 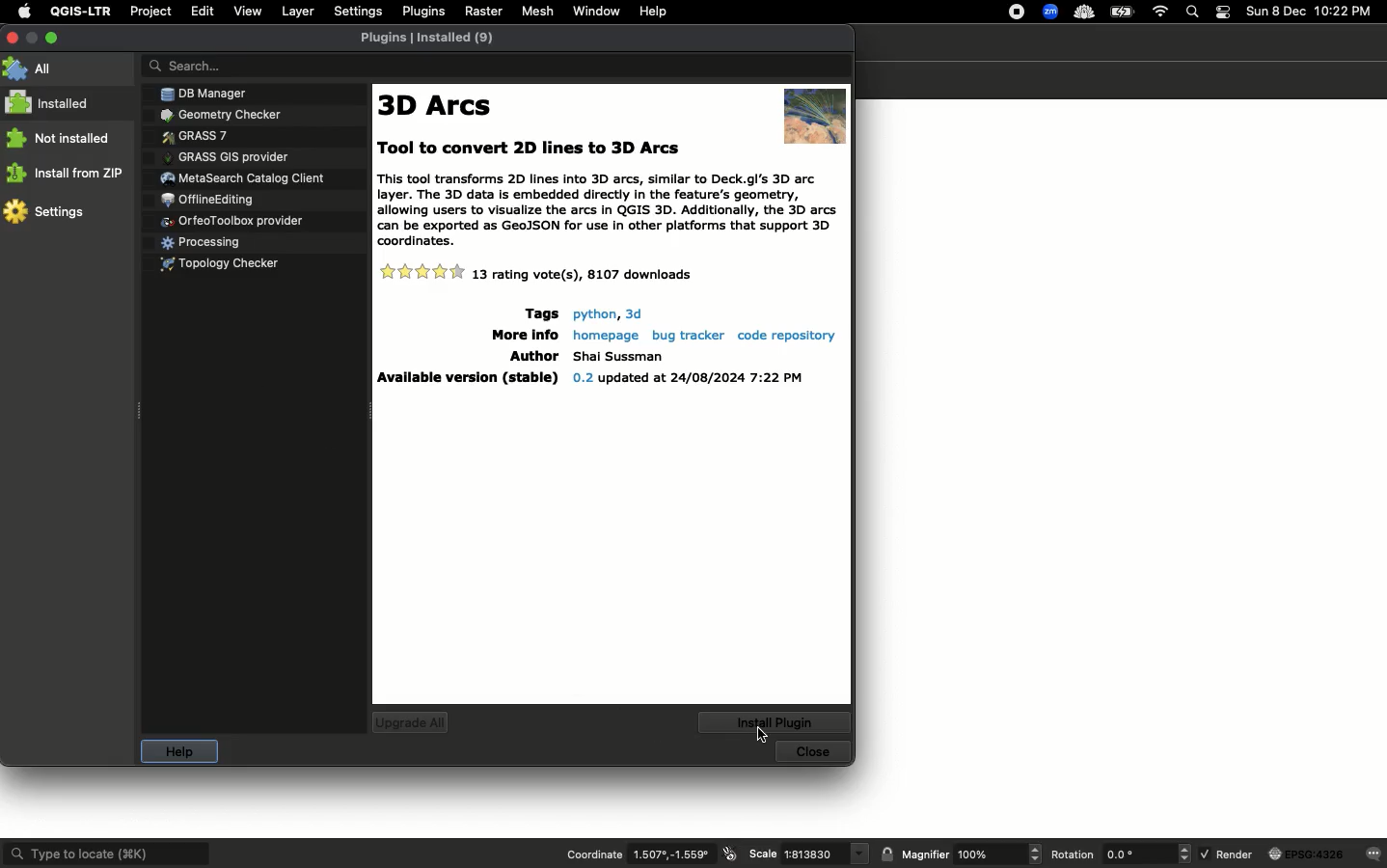 I want to click on bug tracker, so click(x=685, y=335).